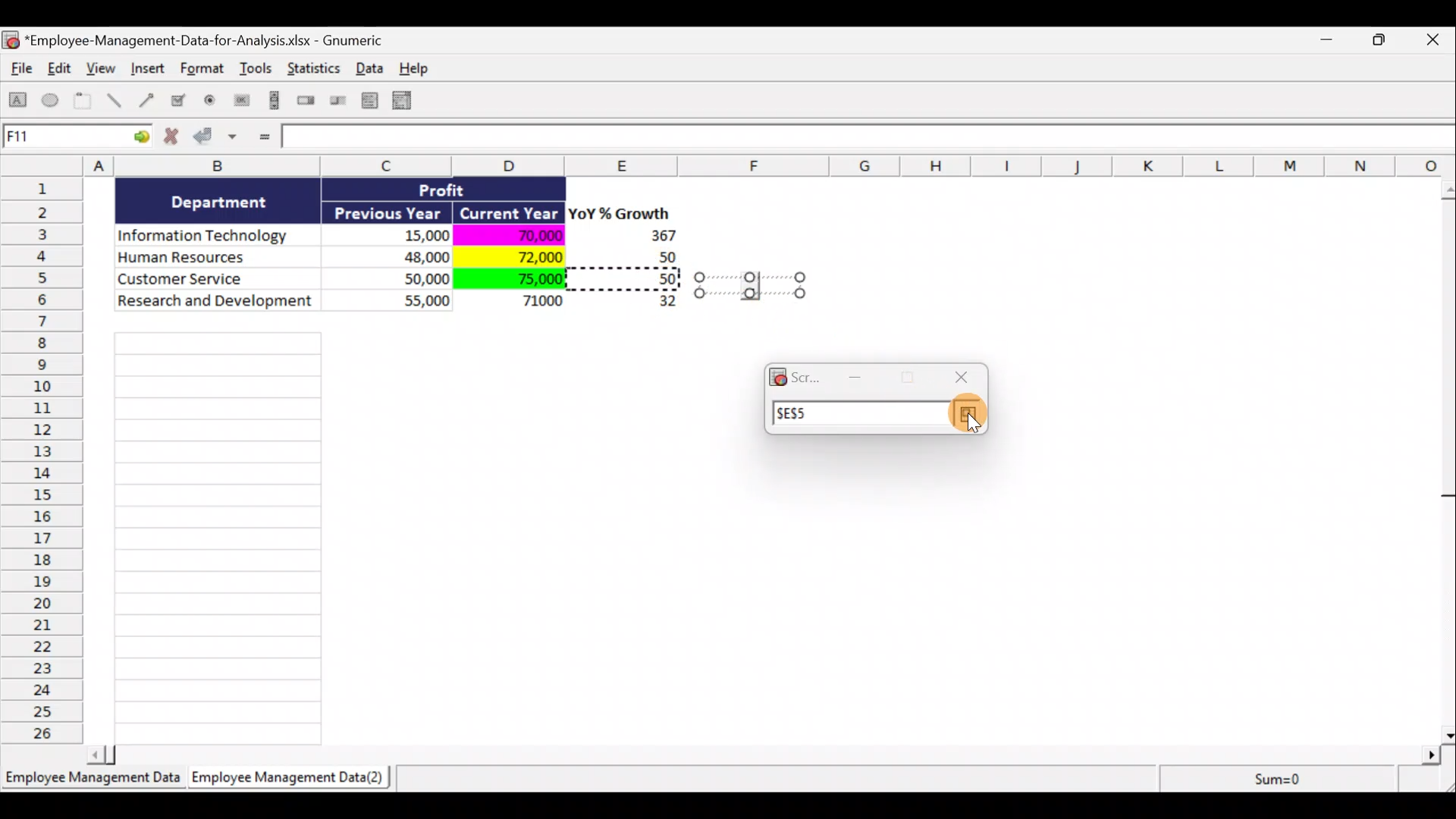 The image size is (1456, 819). What do you see at coordinates (858, 375) in the screenshot?
I see `minimize` at bounding box center [858, 375].